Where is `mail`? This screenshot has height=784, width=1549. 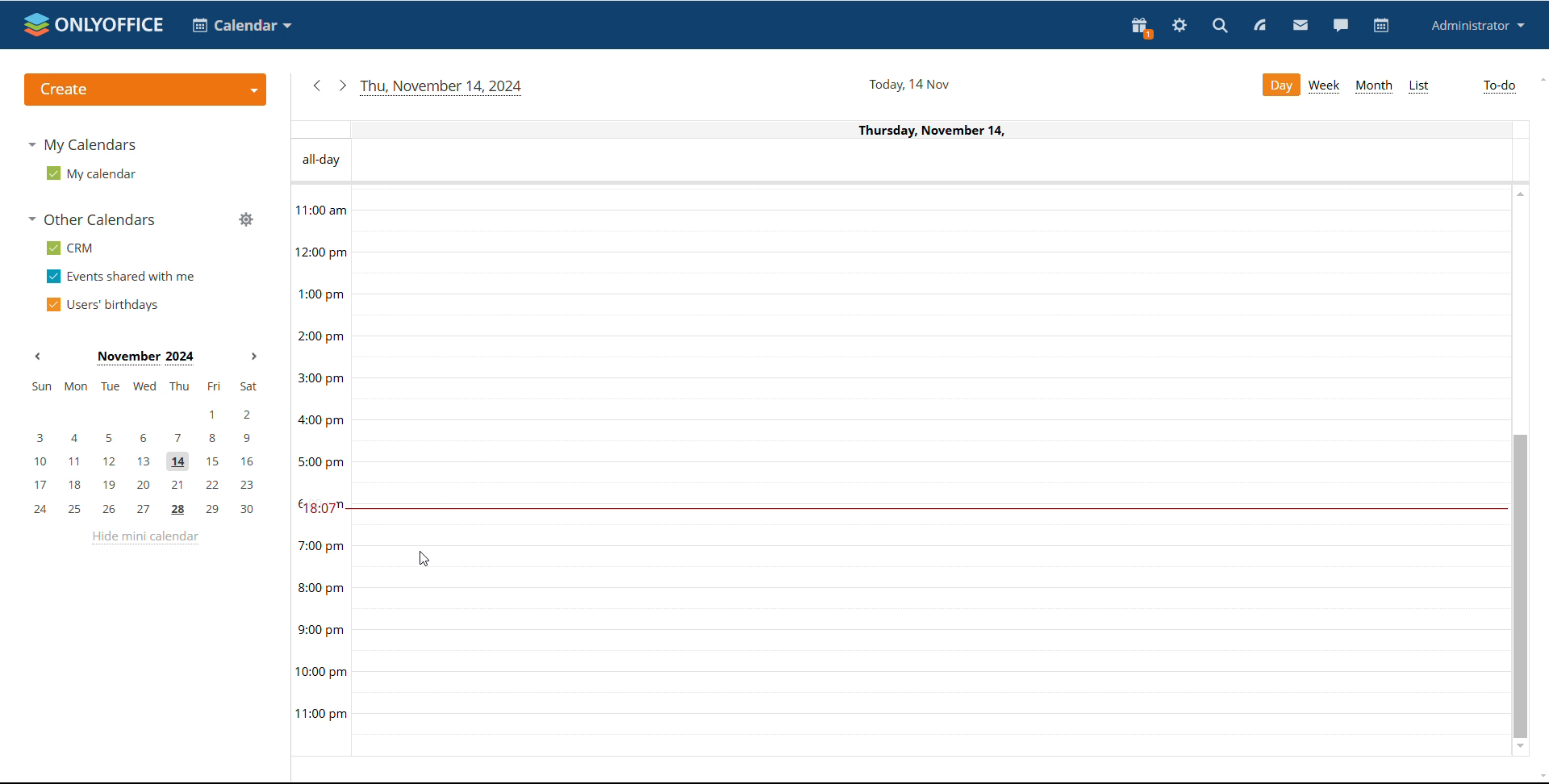
mail is located at coordinates (1301, 26).